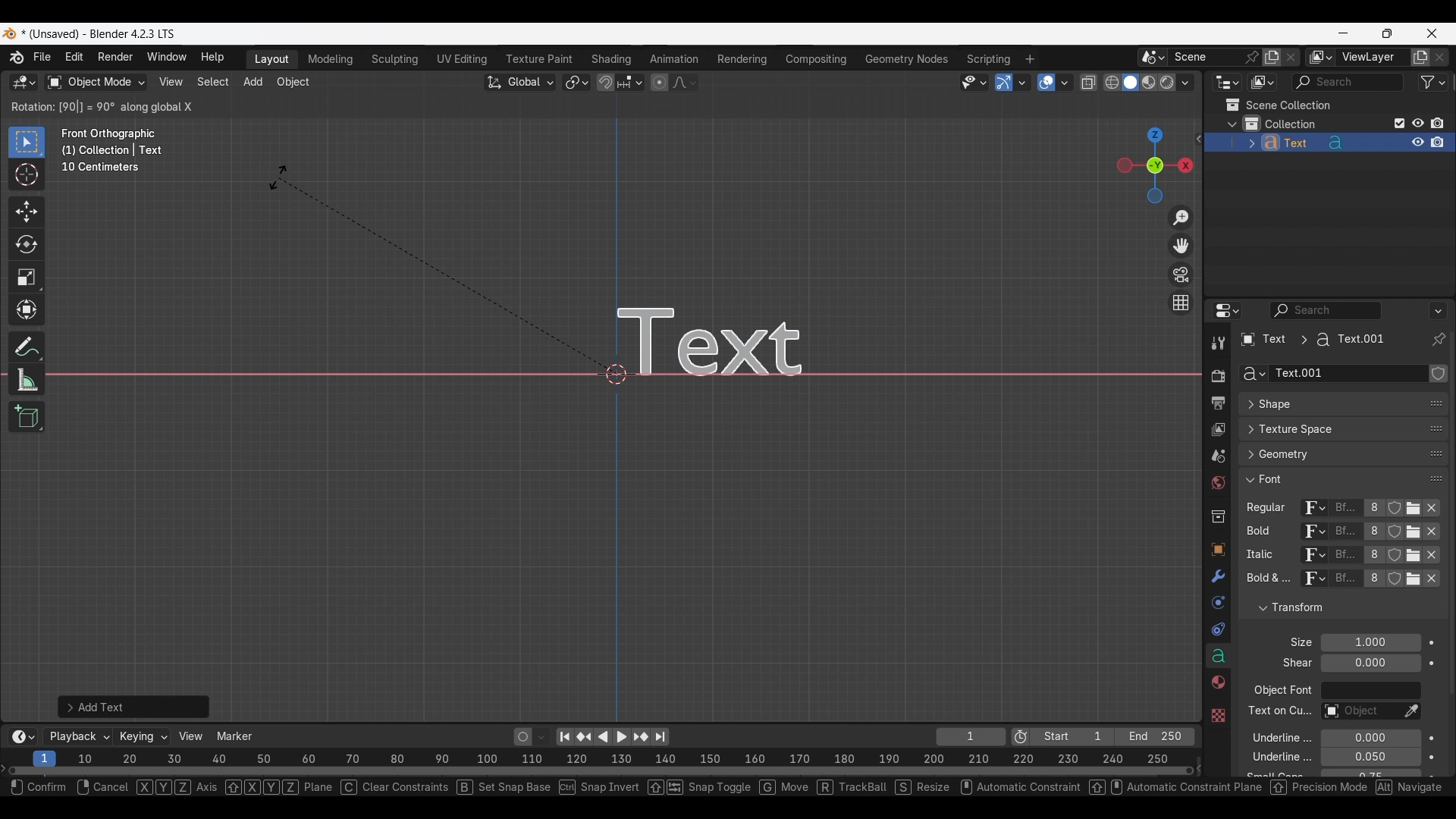 Image resolution: width=1456 pixels, height=819 pixels. Describe the element at coordinates (1438, 340) in the screenshot. I see `Toggle pin ID` at that location.